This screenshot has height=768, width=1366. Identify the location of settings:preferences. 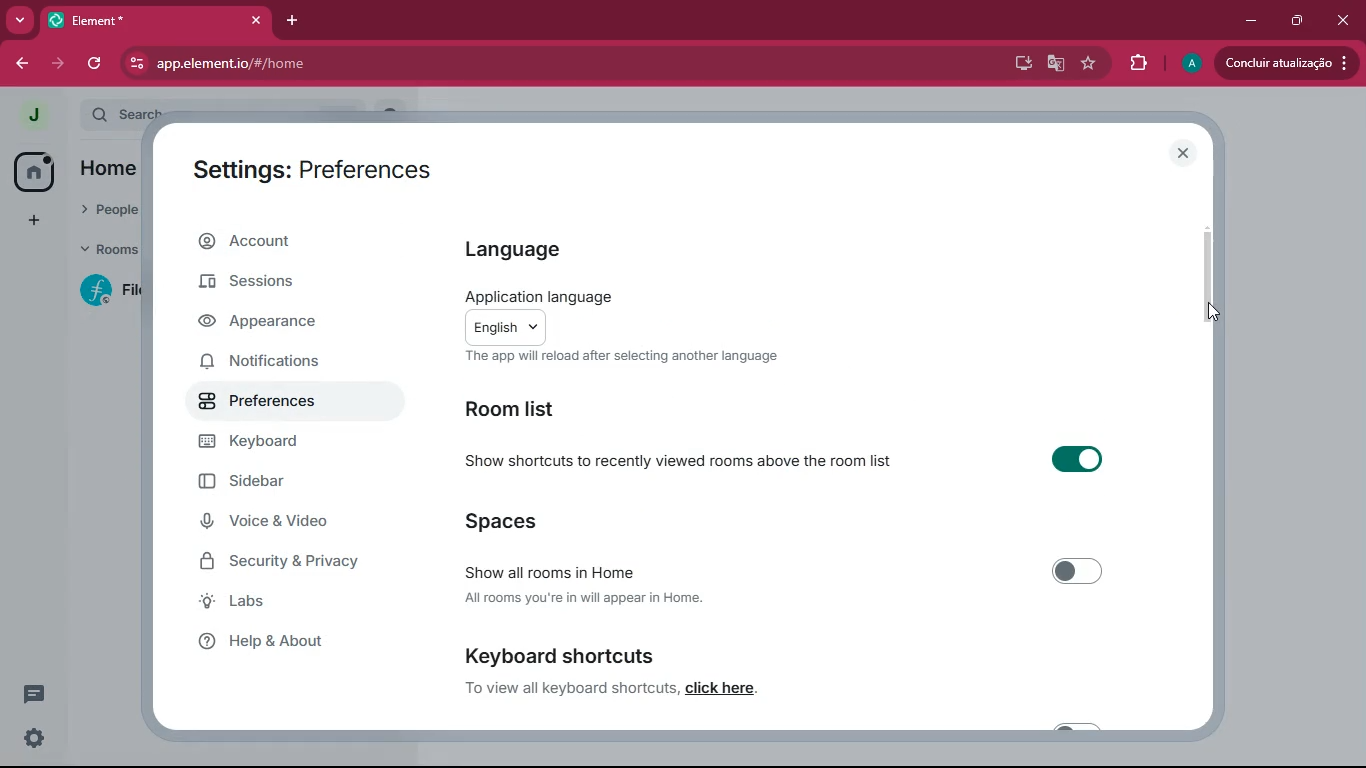
(323, 165).